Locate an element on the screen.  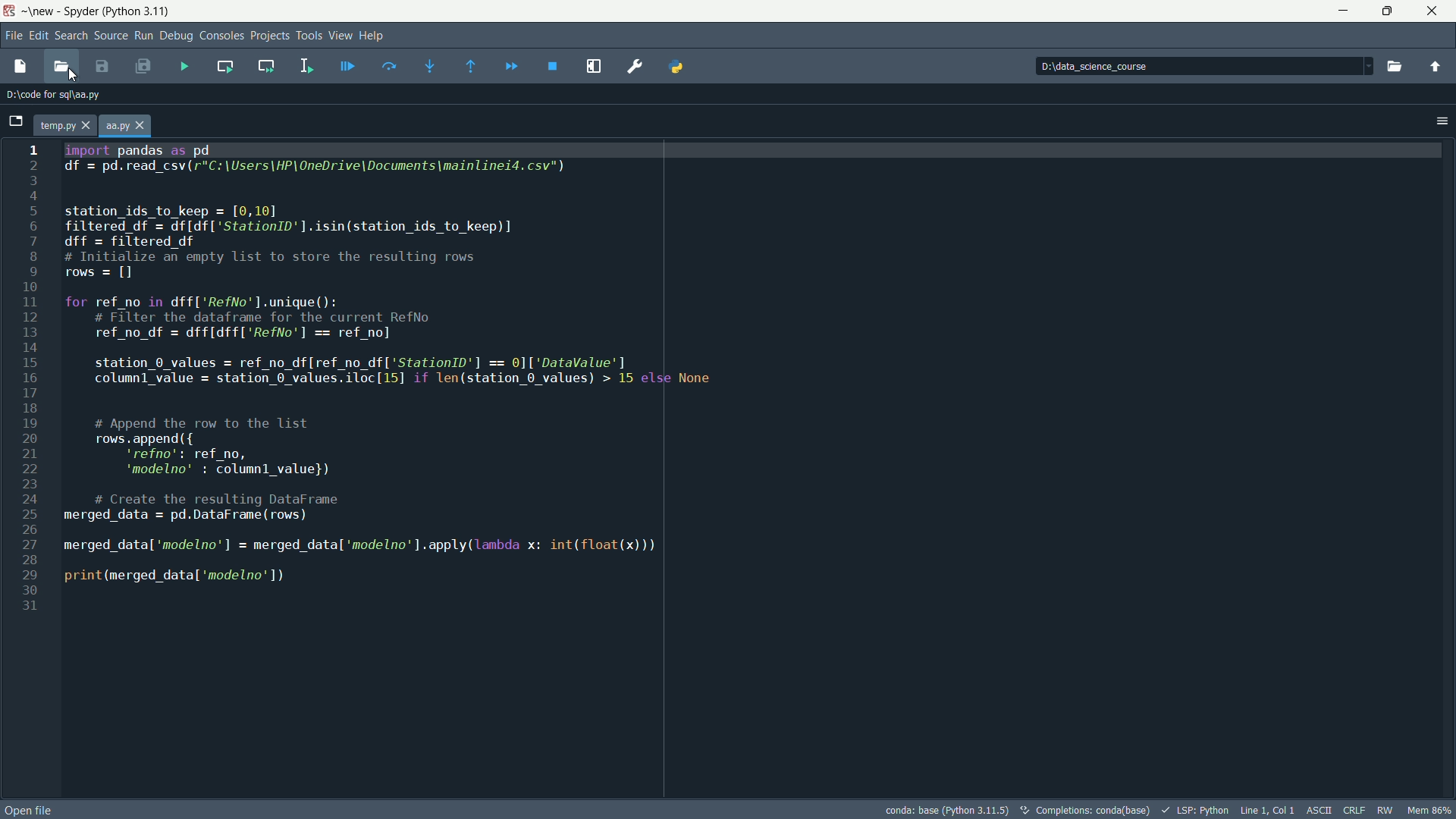
Debug menu is located at coordinates (177, 36).